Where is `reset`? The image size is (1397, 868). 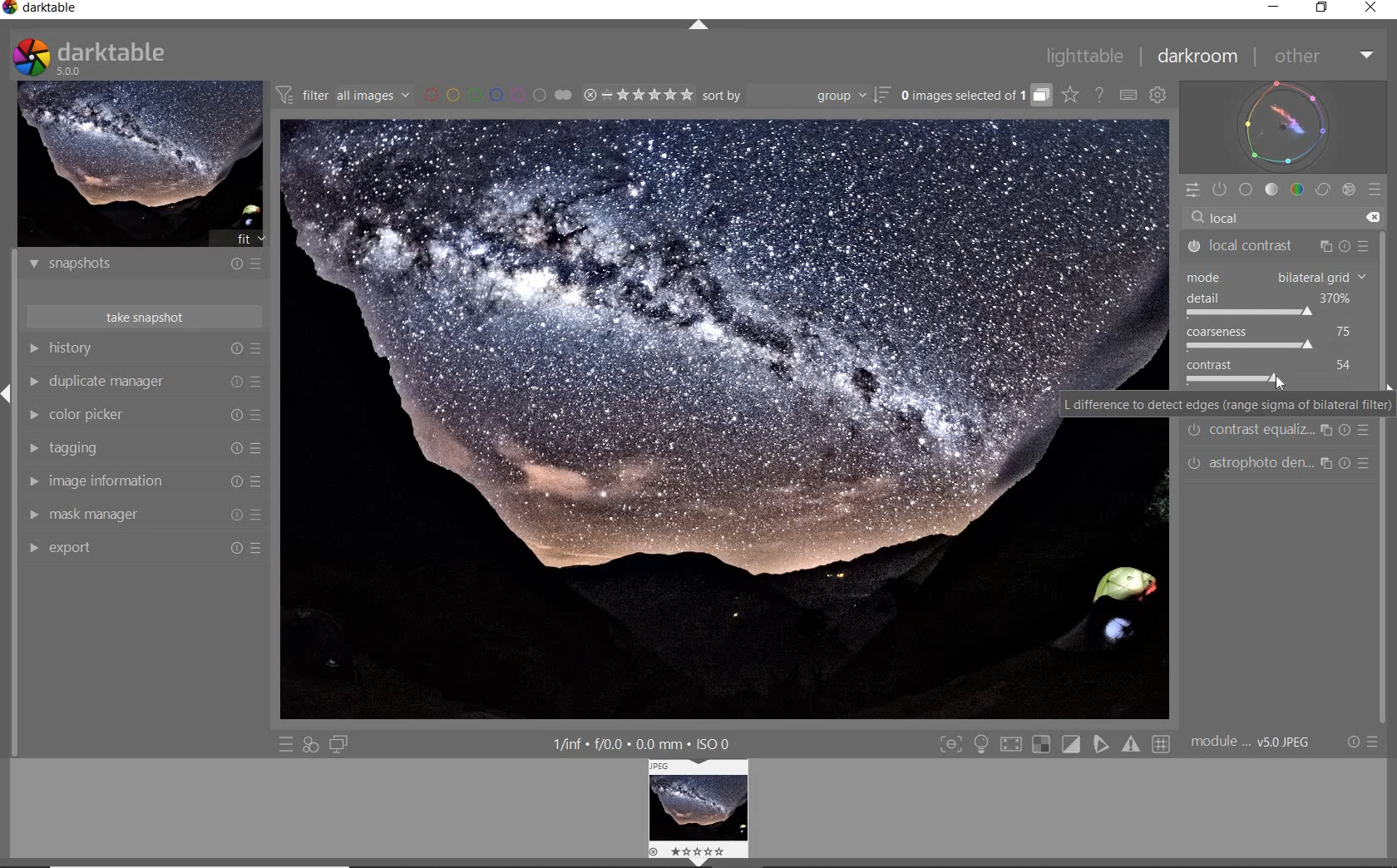
reset is located at coordinates (234, 378).